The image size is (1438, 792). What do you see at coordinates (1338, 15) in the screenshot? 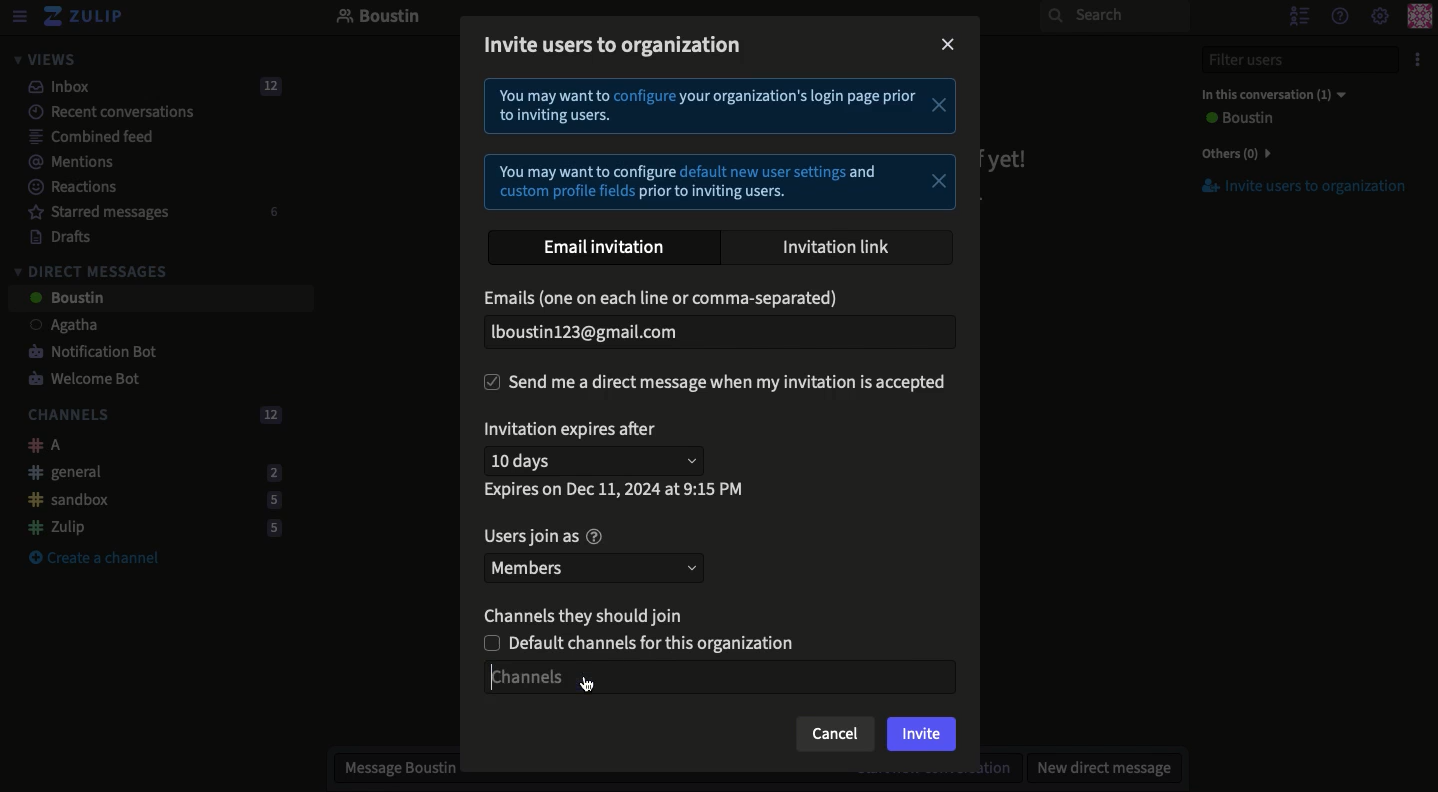
I see `Help` at bounding box center [1338, 15].